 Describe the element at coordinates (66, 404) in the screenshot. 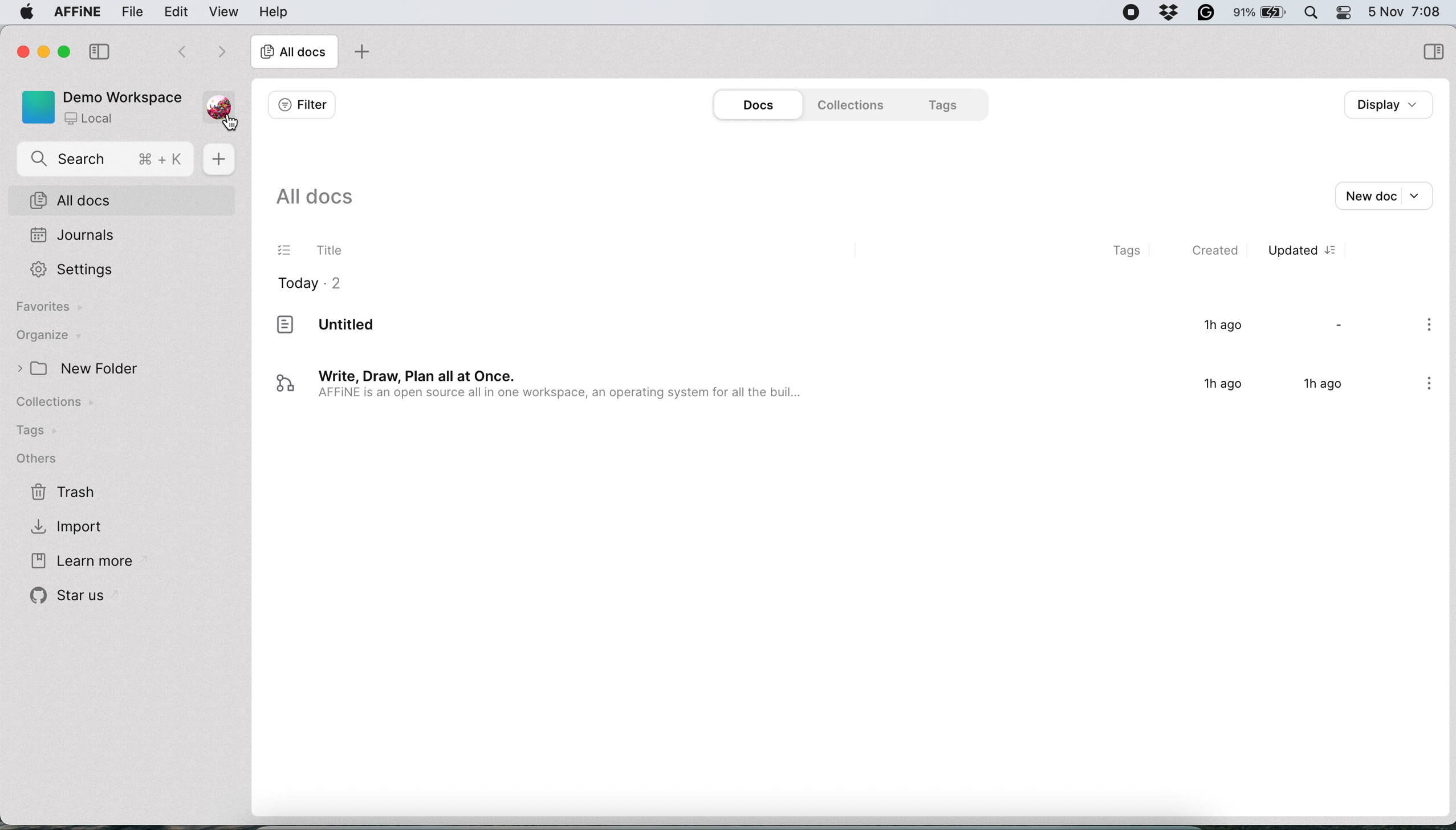

I see `collections` at that location.